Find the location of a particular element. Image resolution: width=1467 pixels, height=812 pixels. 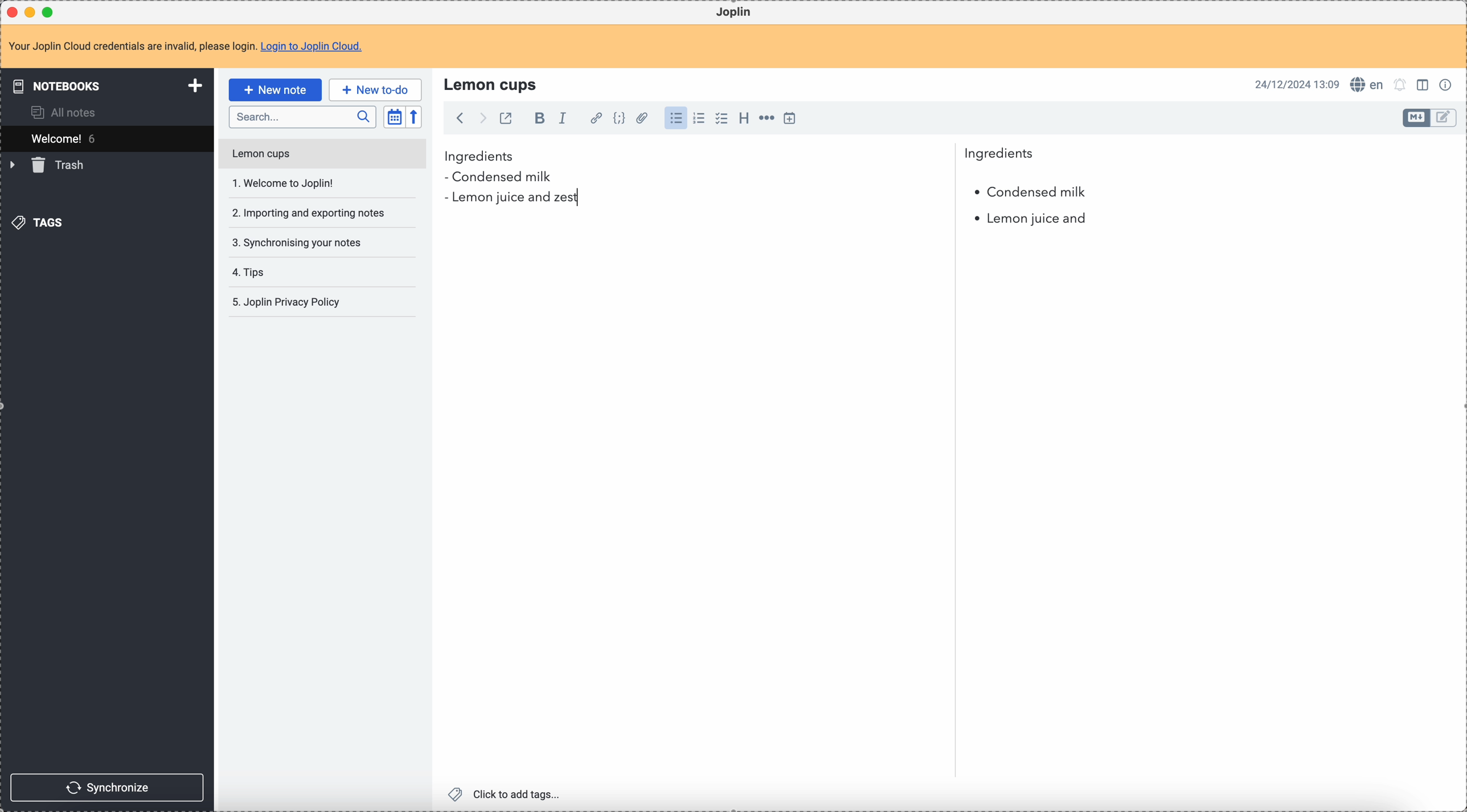

code is located at coordinates (619, 119).